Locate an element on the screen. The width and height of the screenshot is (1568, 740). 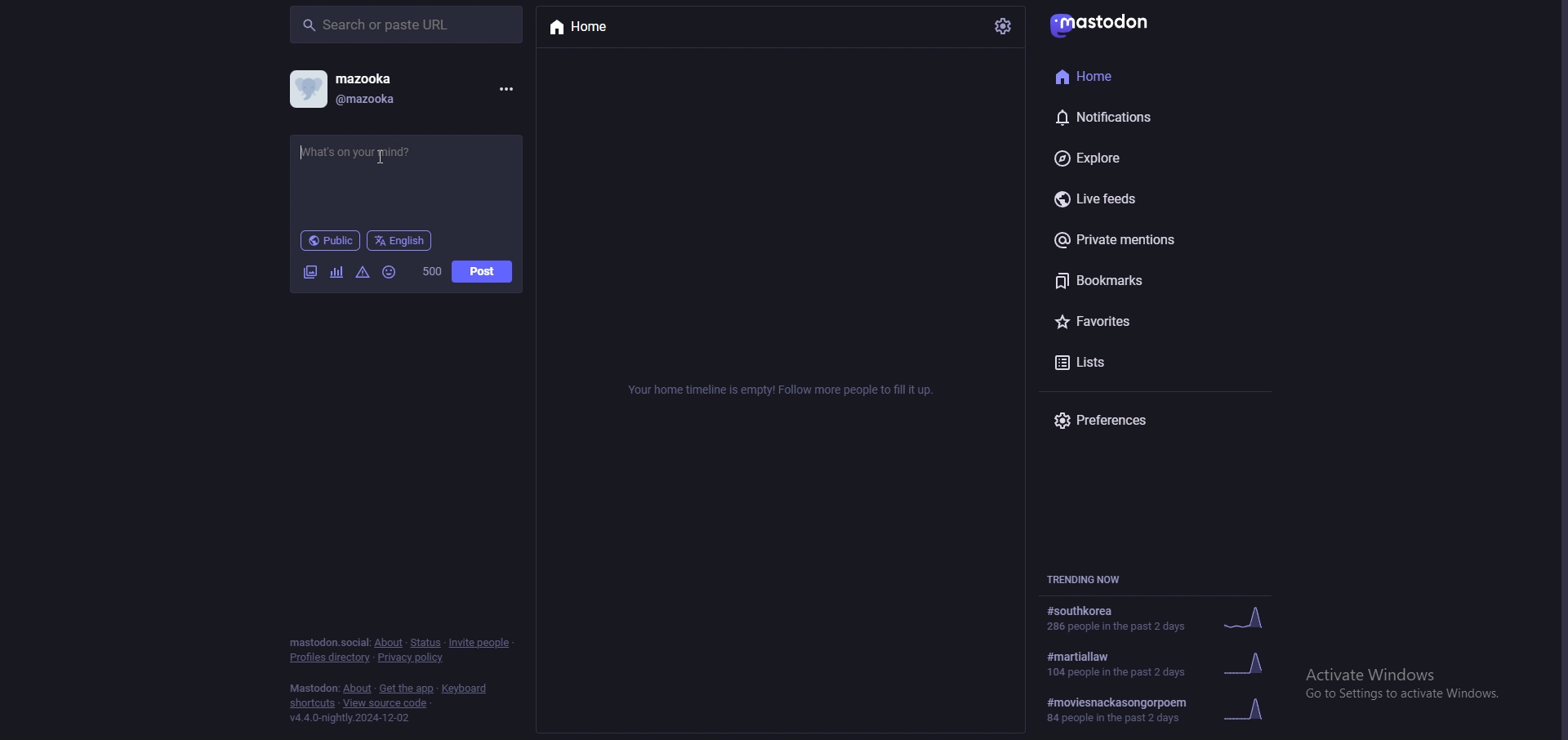
live feeds is located at coordinates (1124, 200).